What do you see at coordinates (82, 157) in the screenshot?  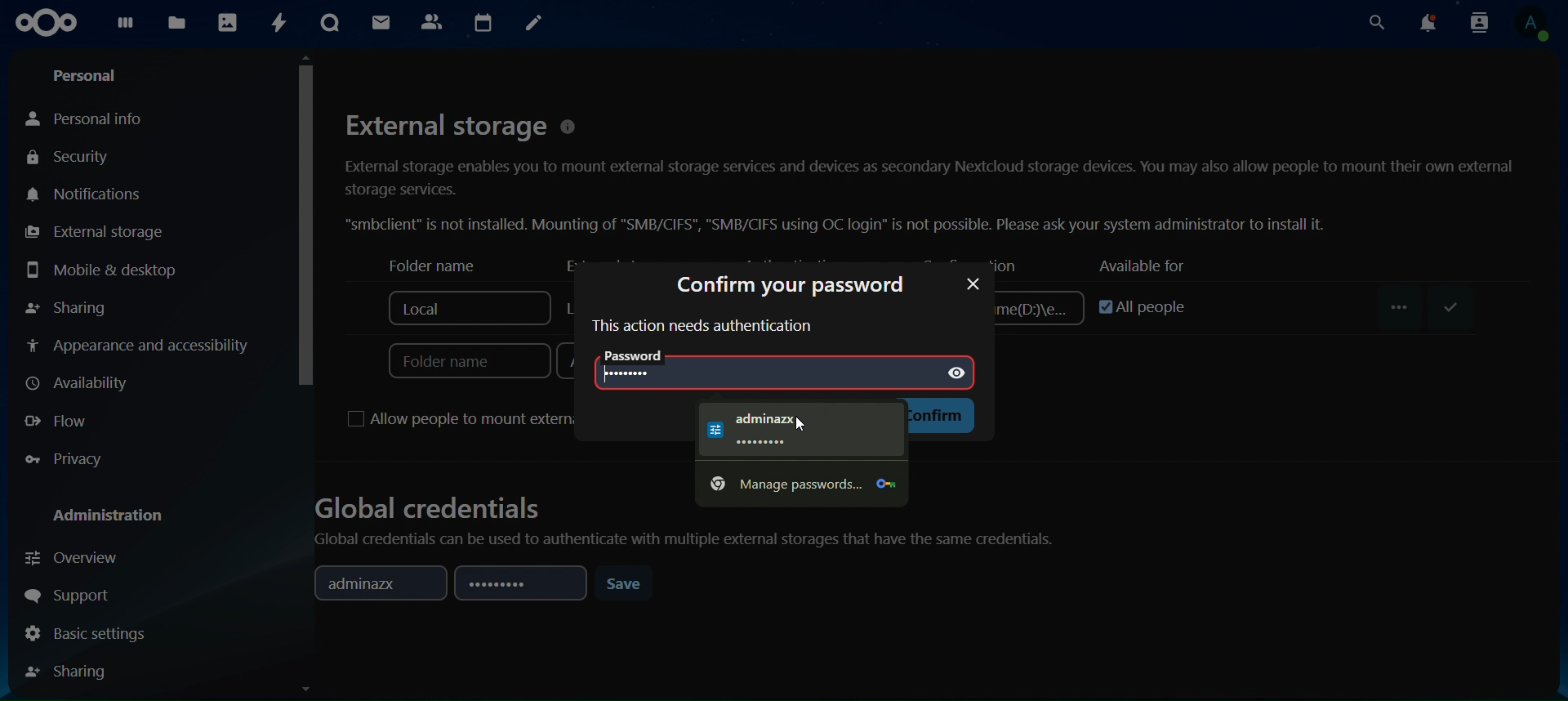 I see `security` at bounding box center [82, 157].